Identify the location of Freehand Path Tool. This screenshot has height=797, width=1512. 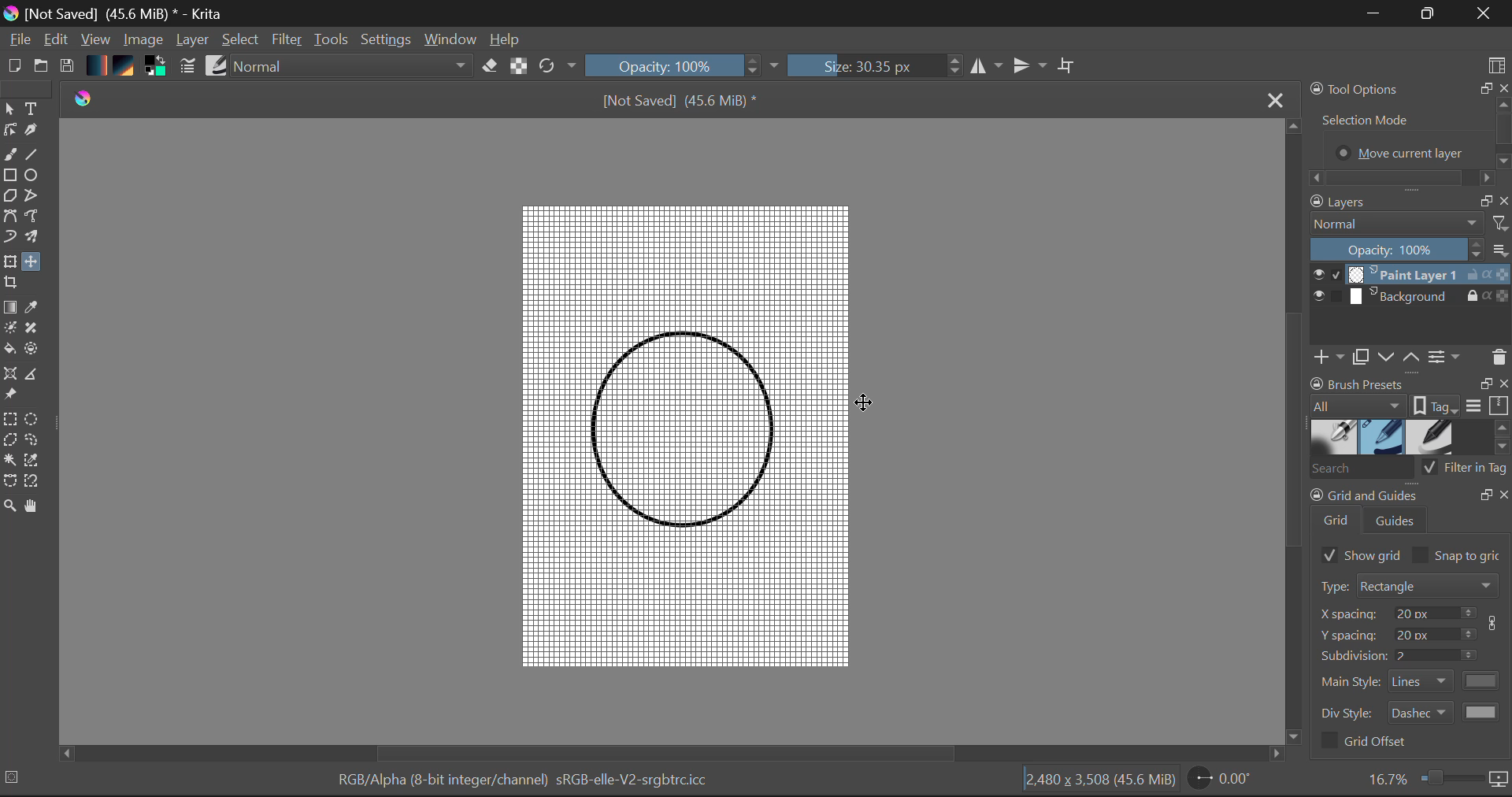
(38, 218).